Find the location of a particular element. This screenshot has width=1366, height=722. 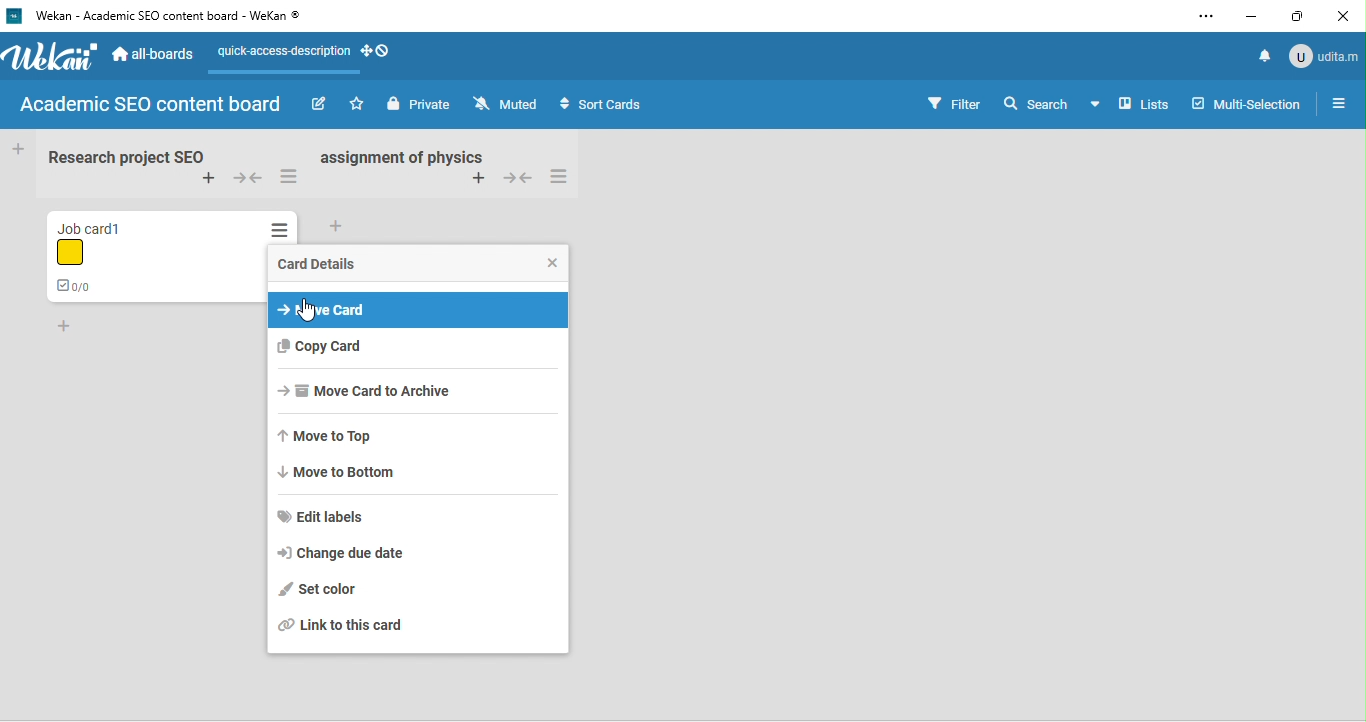

move card to archive is located at coordinates (388, 393).